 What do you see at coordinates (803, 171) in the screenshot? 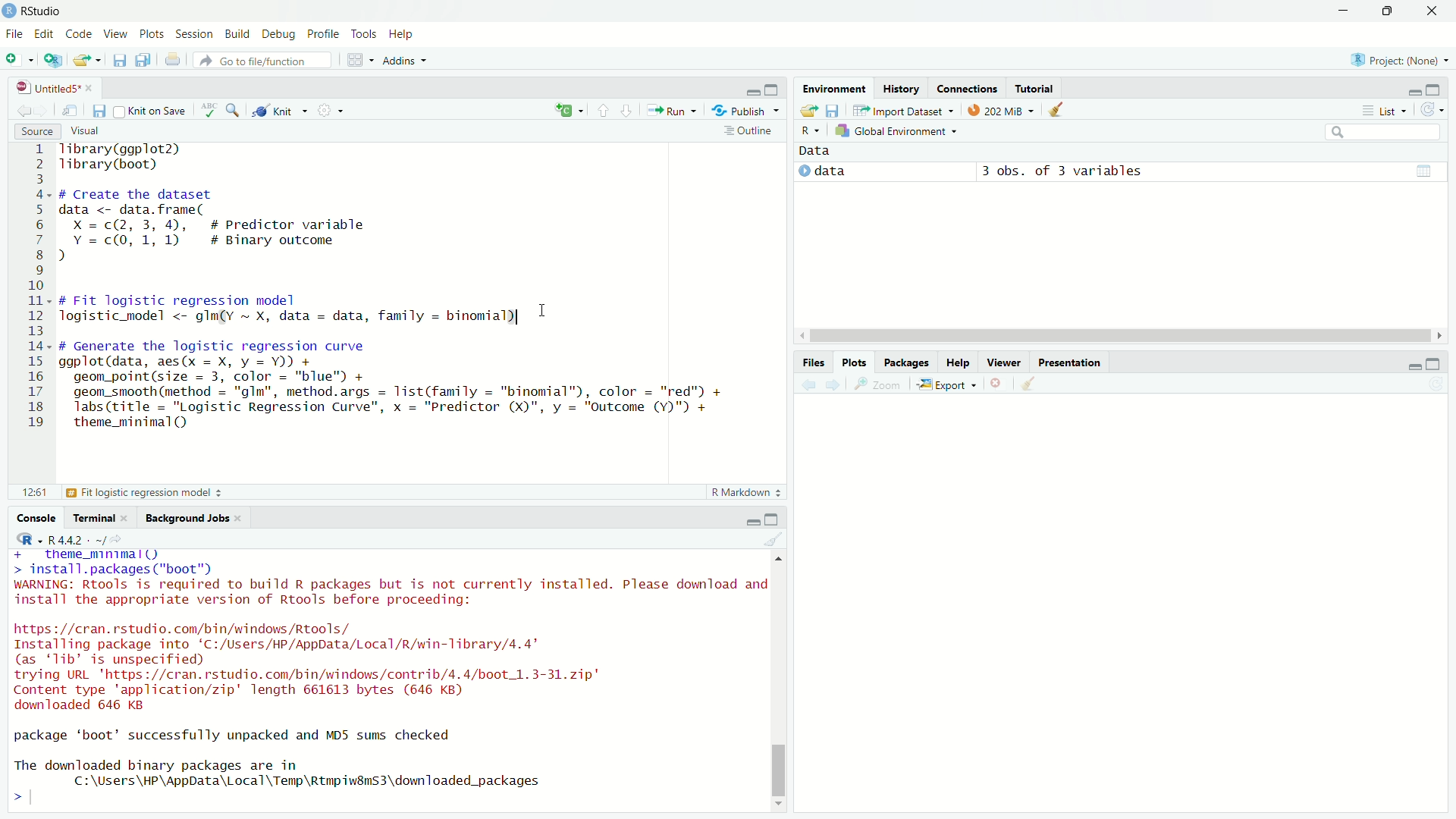
I see `expand/collapse` at bounding box center [803, 171].